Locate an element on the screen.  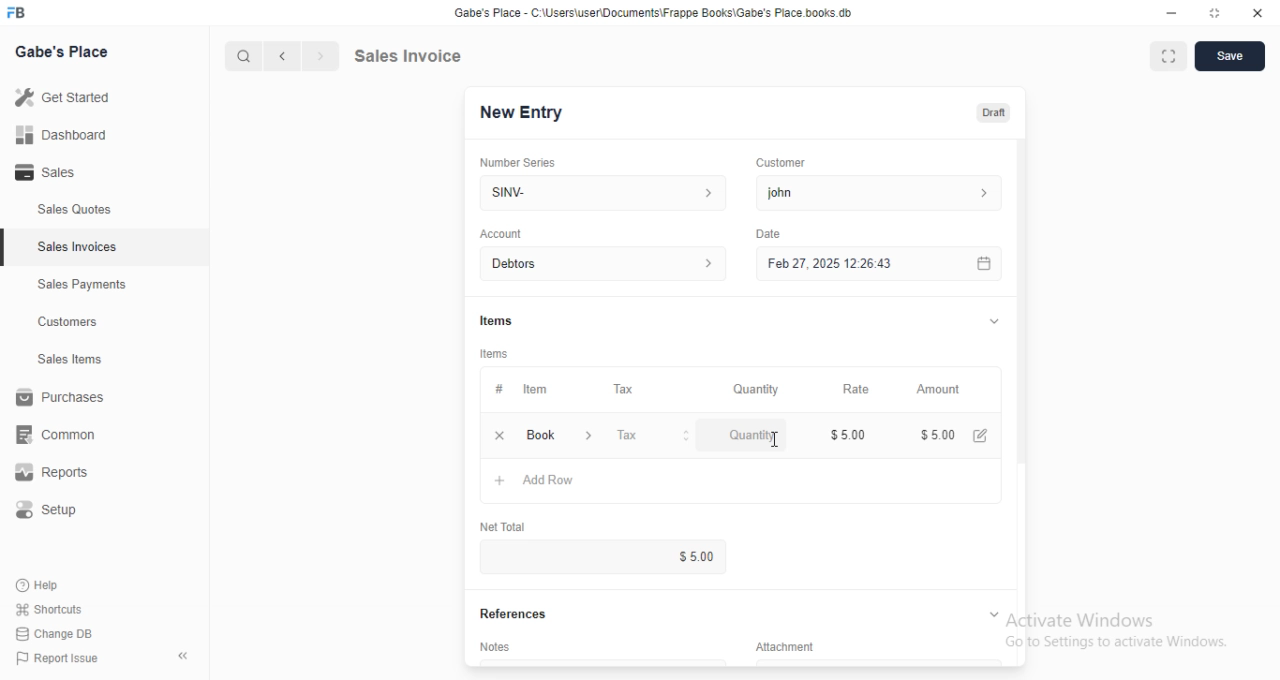
Reports is located at coordinates (49, 473).